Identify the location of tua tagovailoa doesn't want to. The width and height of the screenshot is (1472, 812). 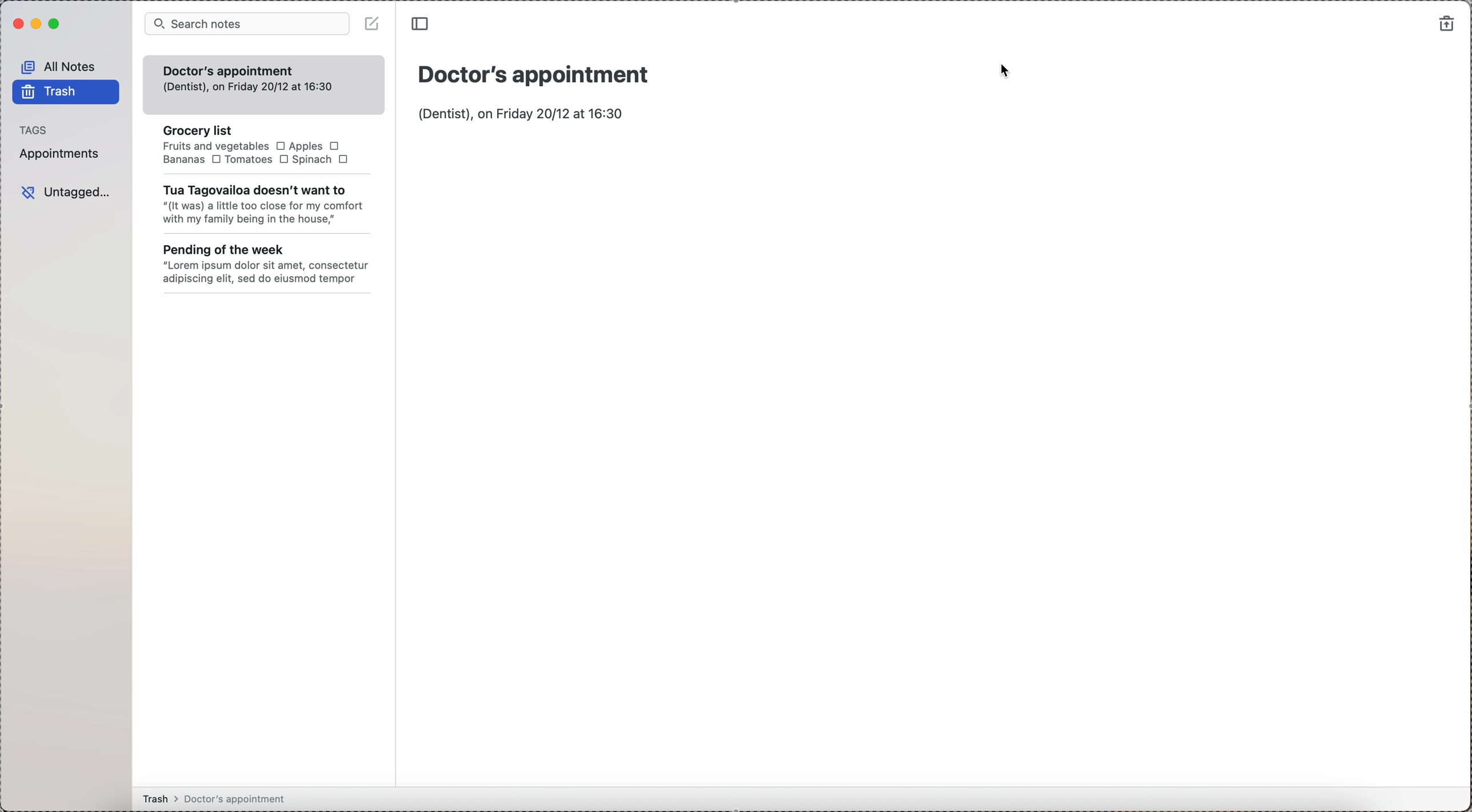
(255, 190).